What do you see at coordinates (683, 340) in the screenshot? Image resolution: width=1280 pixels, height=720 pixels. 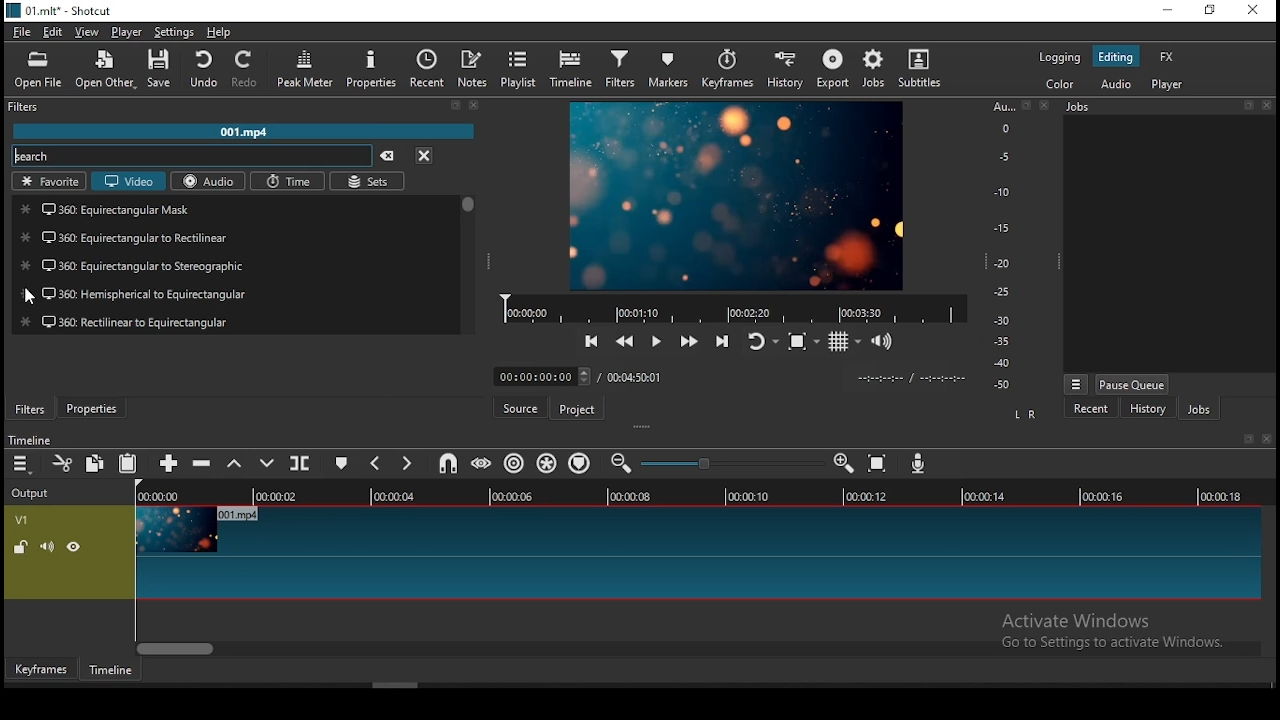 I see `play quickly forwards` at bounding box center [683, 340].